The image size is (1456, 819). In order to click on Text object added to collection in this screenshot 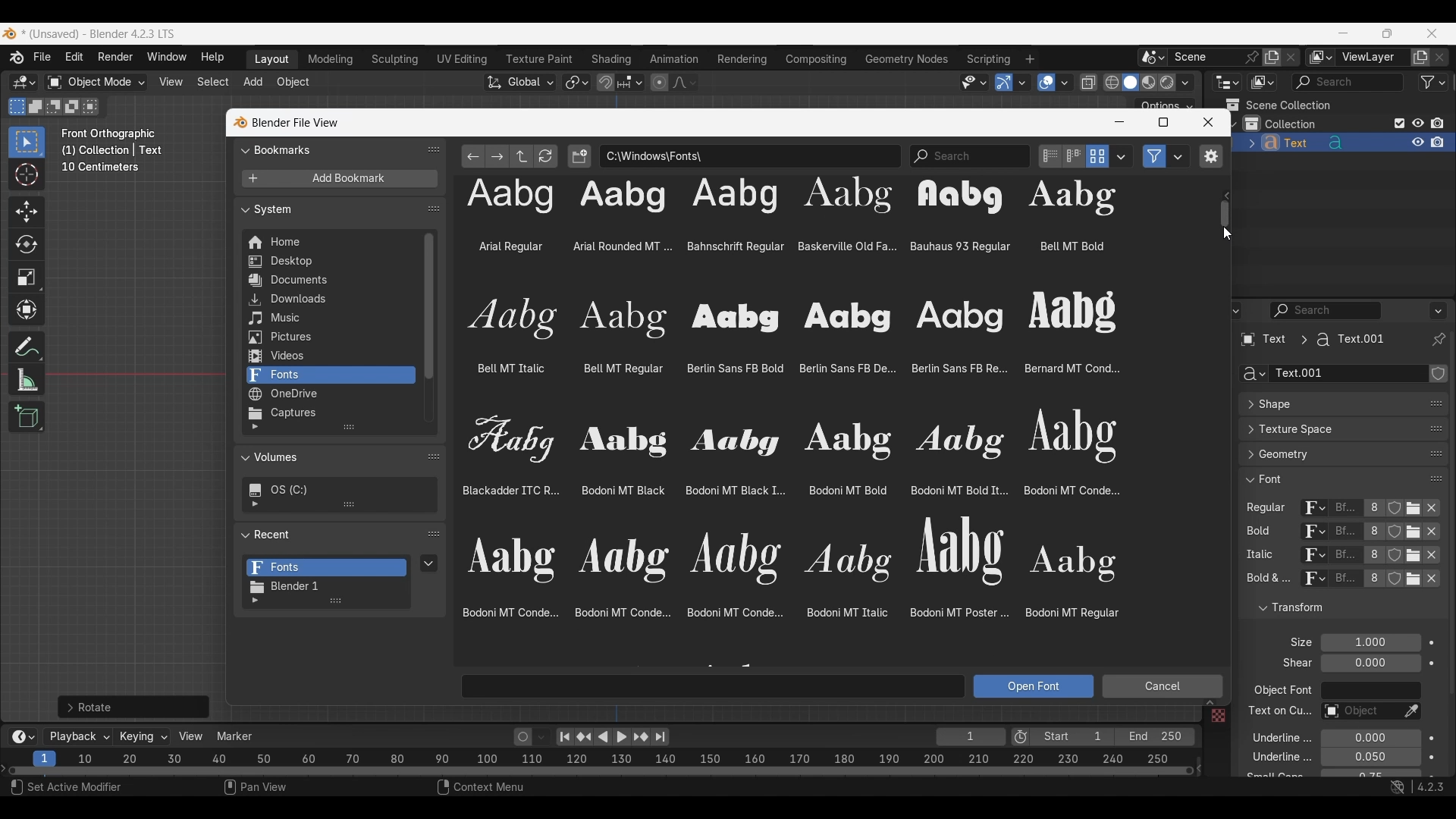, I will do `click(1344, 143)`.